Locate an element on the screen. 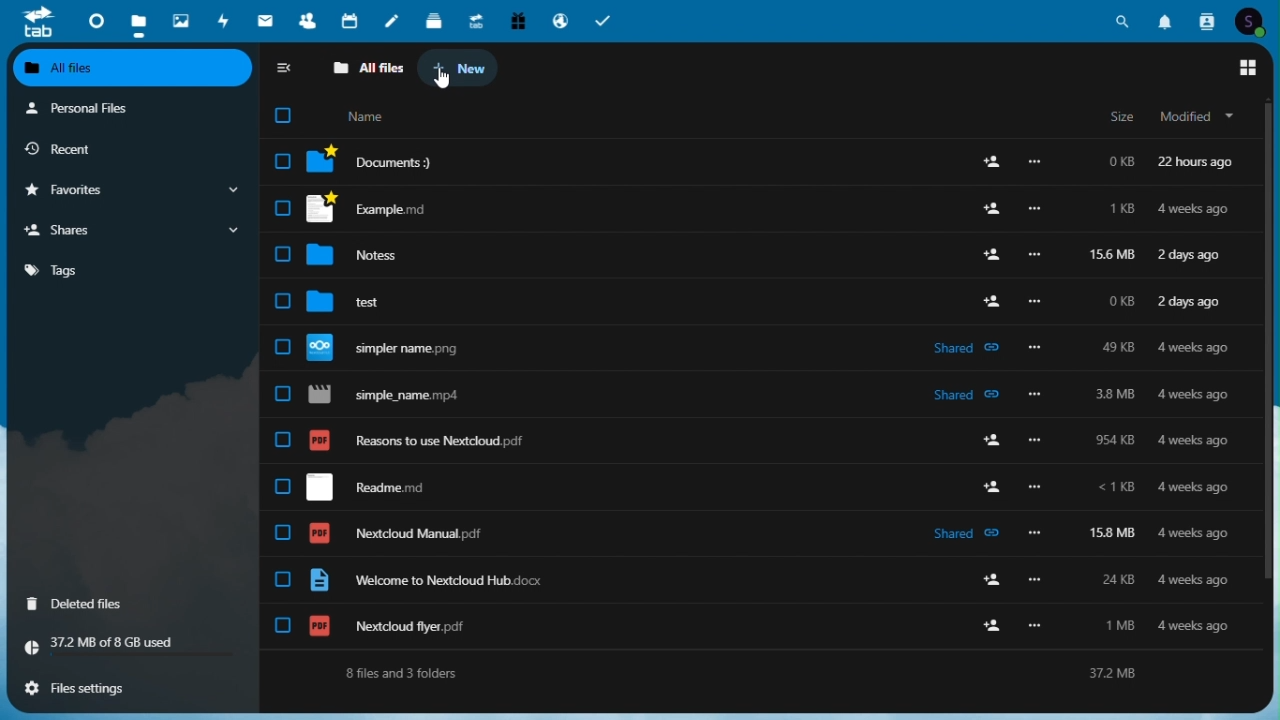 Image resolution: width=1280 pixels, height=720 pixels. check box is located at coordinates (280, 302).